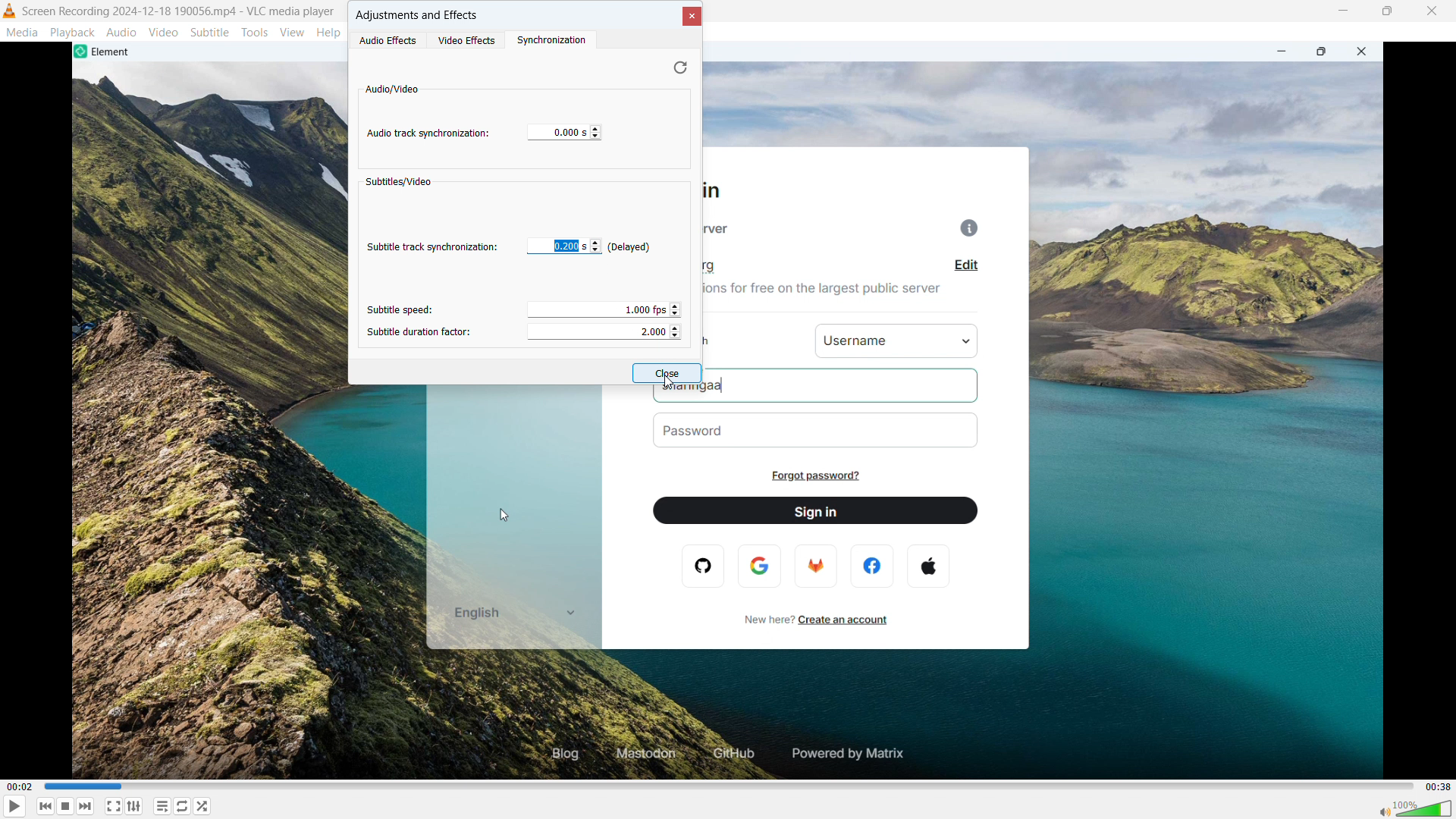 The image size is (1456, 819). I want to click on google logo, so click(761, 565).